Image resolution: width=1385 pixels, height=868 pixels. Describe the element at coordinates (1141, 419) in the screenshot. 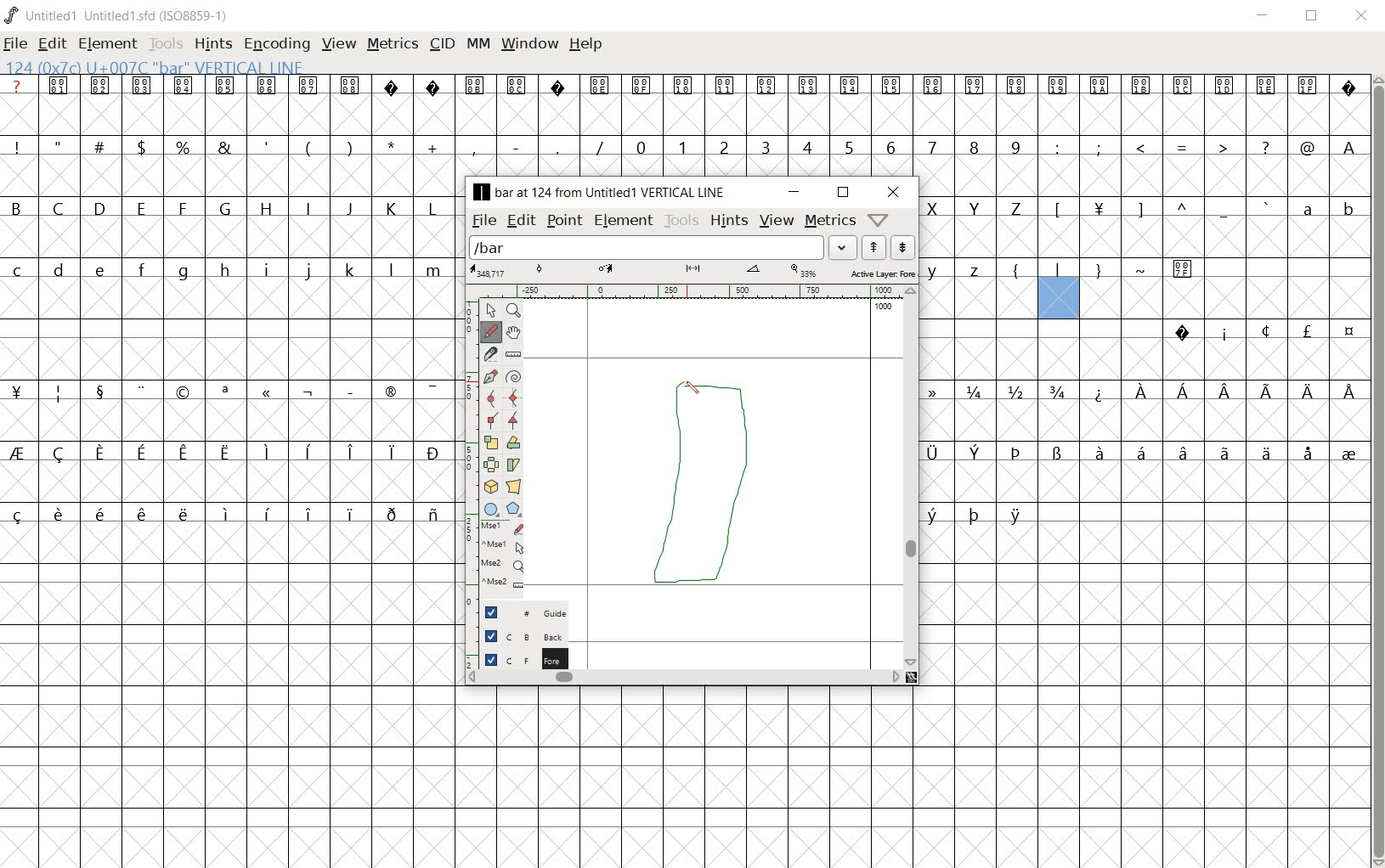

I see `empty cells` at that location.